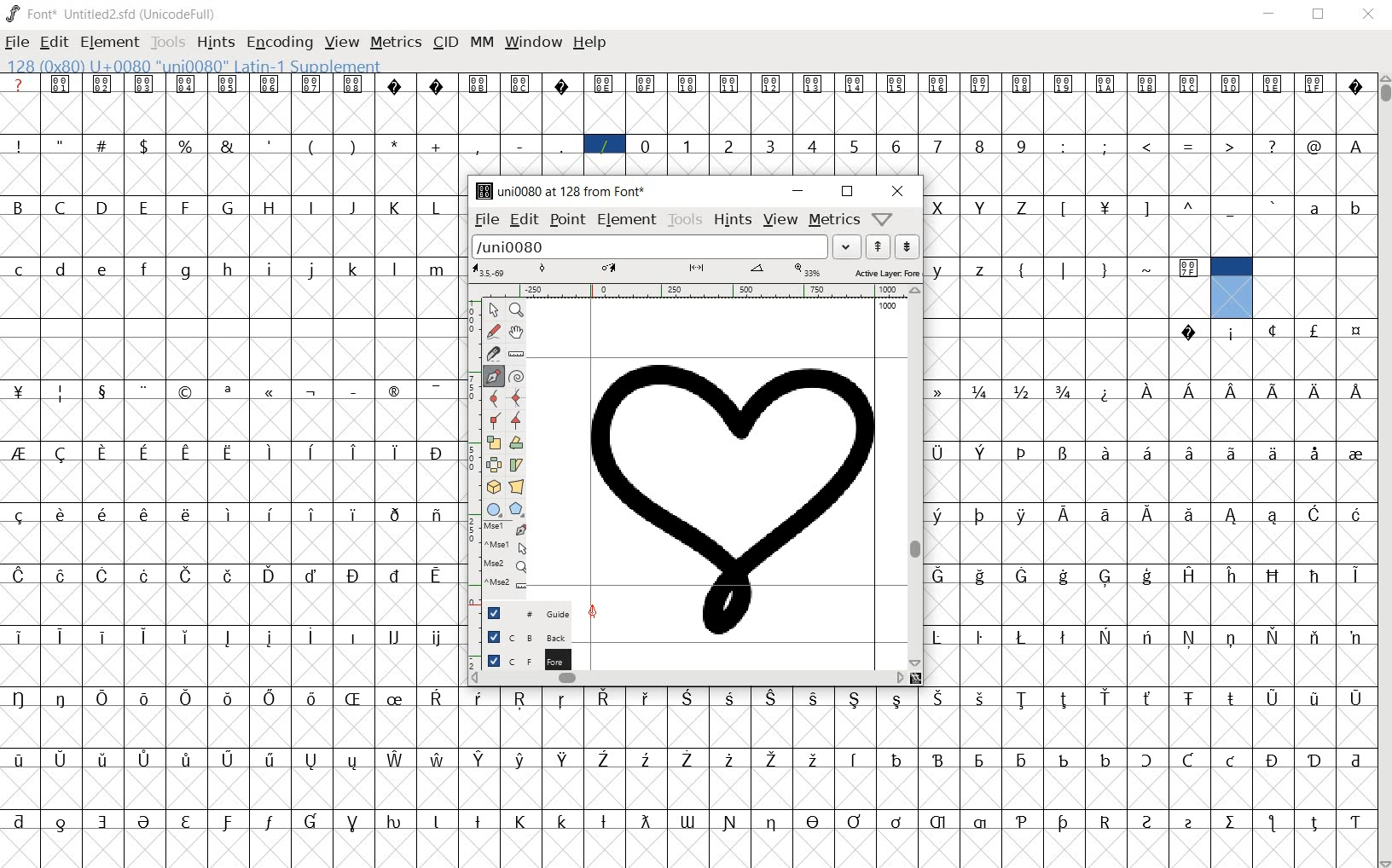 This screenshot has height=868, width=1392. I want to click on glyph, so click(1189, 269).